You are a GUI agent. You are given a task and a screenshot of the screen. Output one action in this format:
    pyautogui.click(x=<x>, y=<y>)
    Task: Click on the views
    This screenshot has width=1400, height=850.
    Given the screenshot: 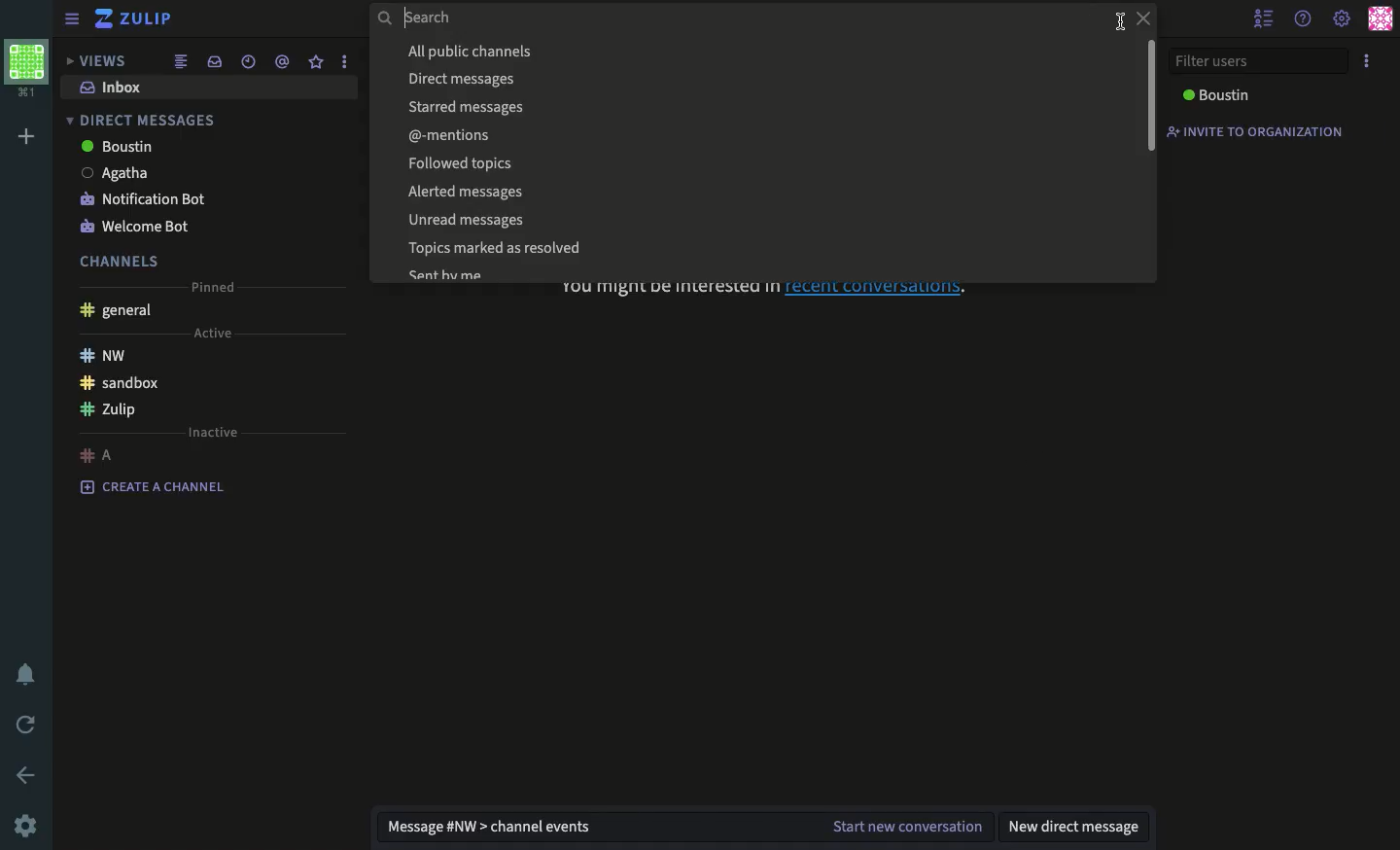 What is the action you would take?
    pyautogui.click(x=97, y=62)
    